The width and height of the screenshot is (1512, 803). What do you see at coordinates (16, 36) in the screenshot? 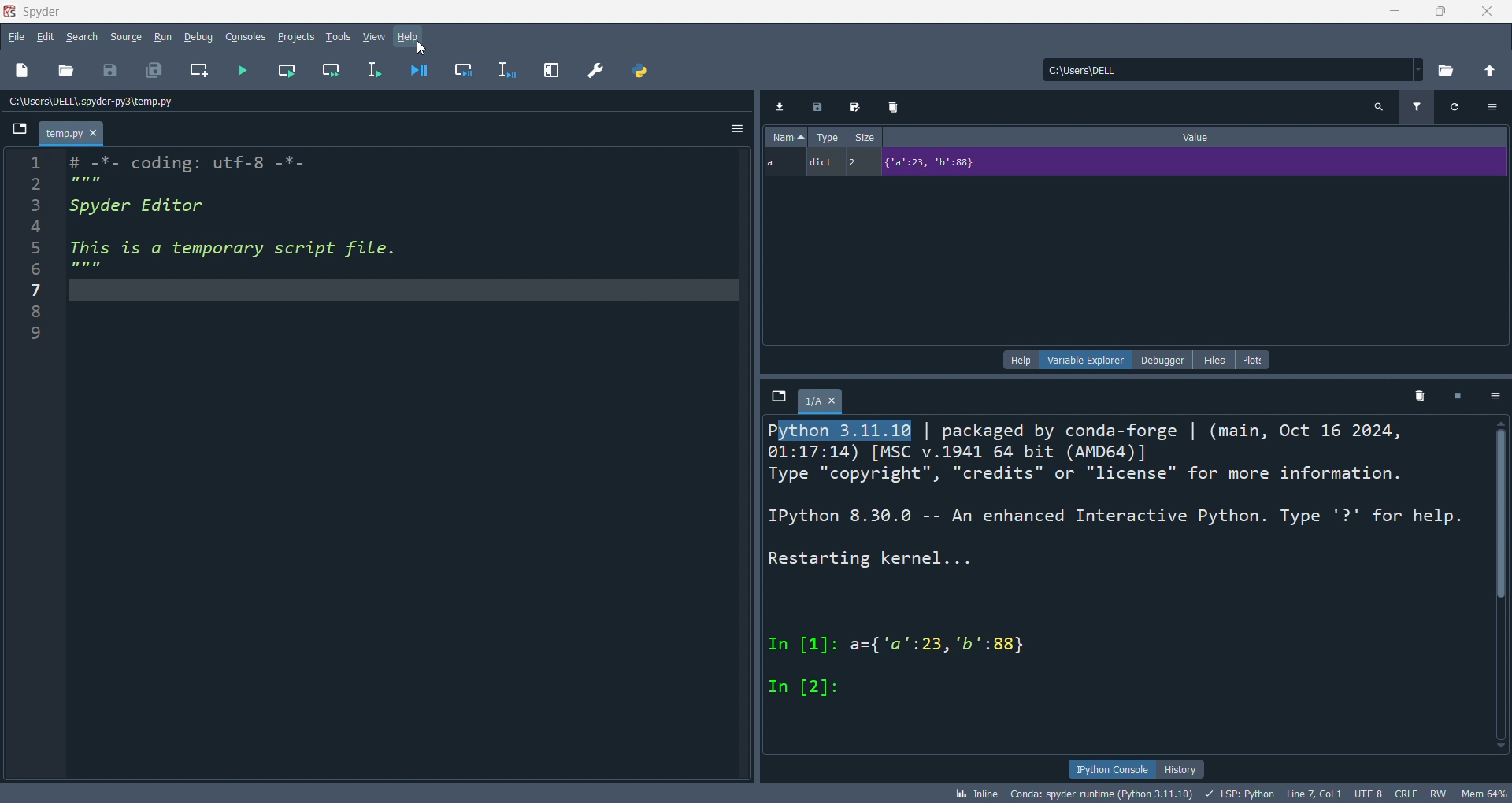
I see `file` at bounding box center [16, 36].